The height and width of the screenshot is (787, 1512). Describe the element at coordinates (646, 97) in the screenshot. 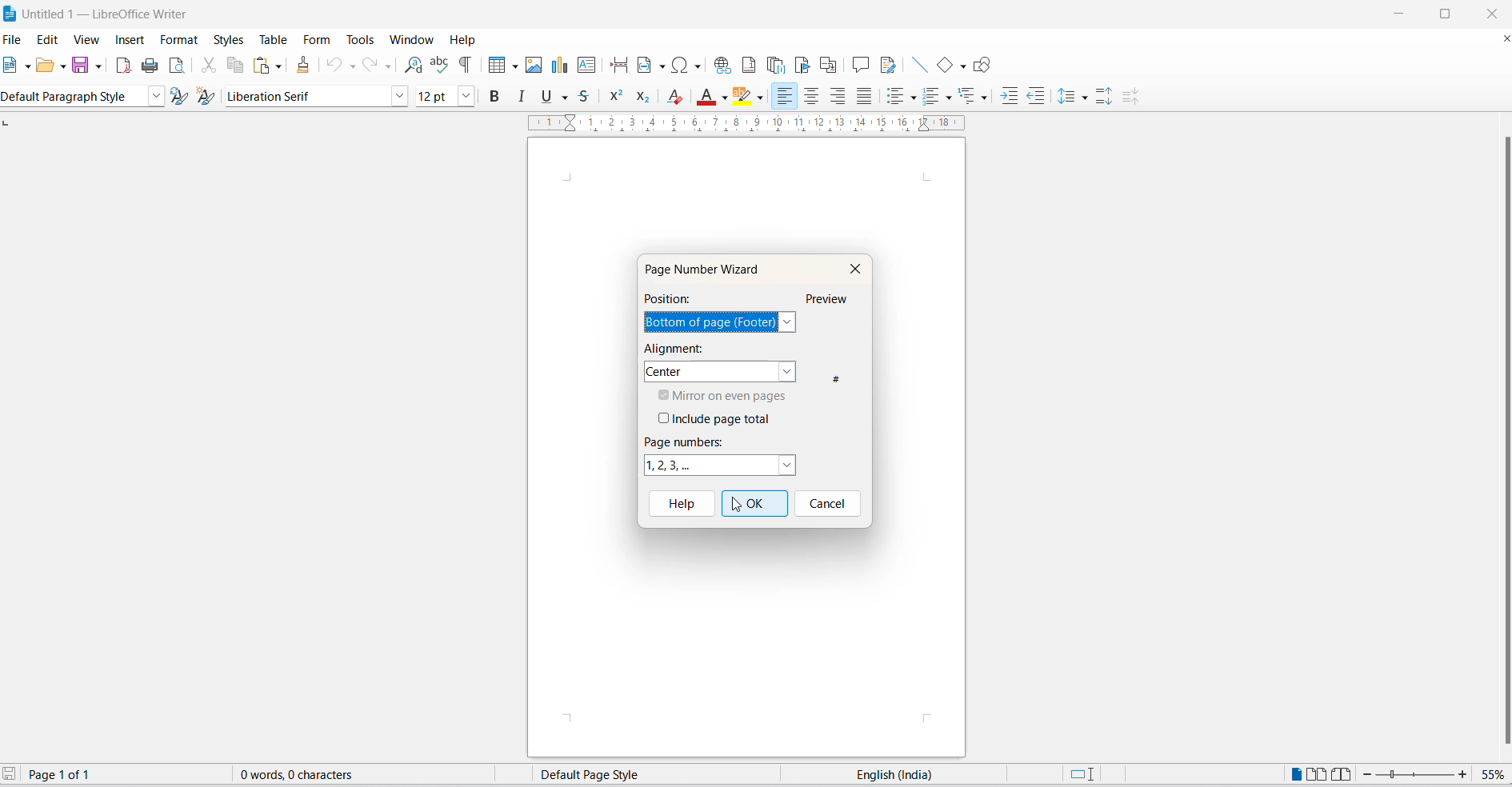

I see `subscript` at that location.